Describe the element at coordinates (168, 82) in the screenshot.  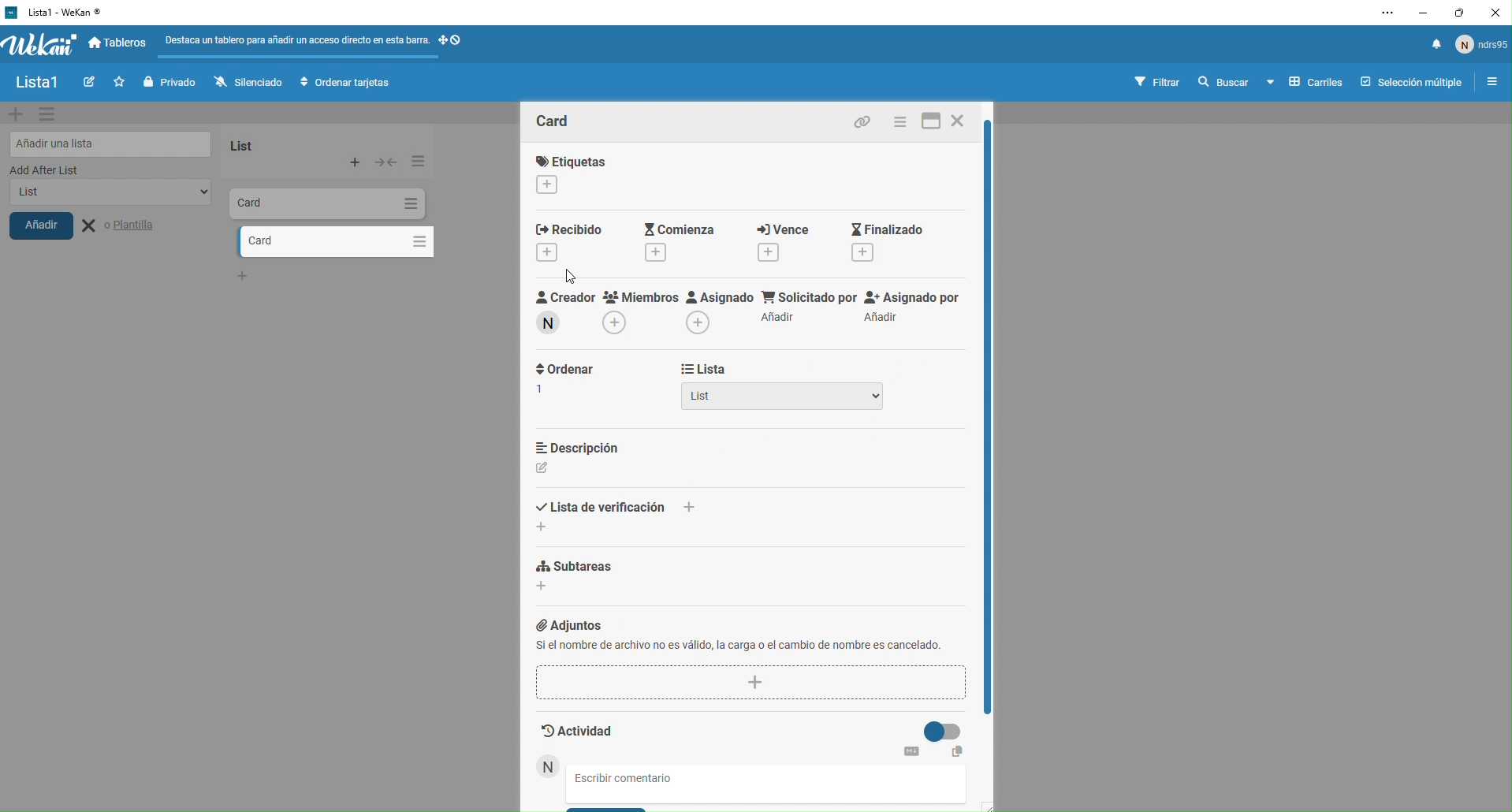
I see `privado` at that location.